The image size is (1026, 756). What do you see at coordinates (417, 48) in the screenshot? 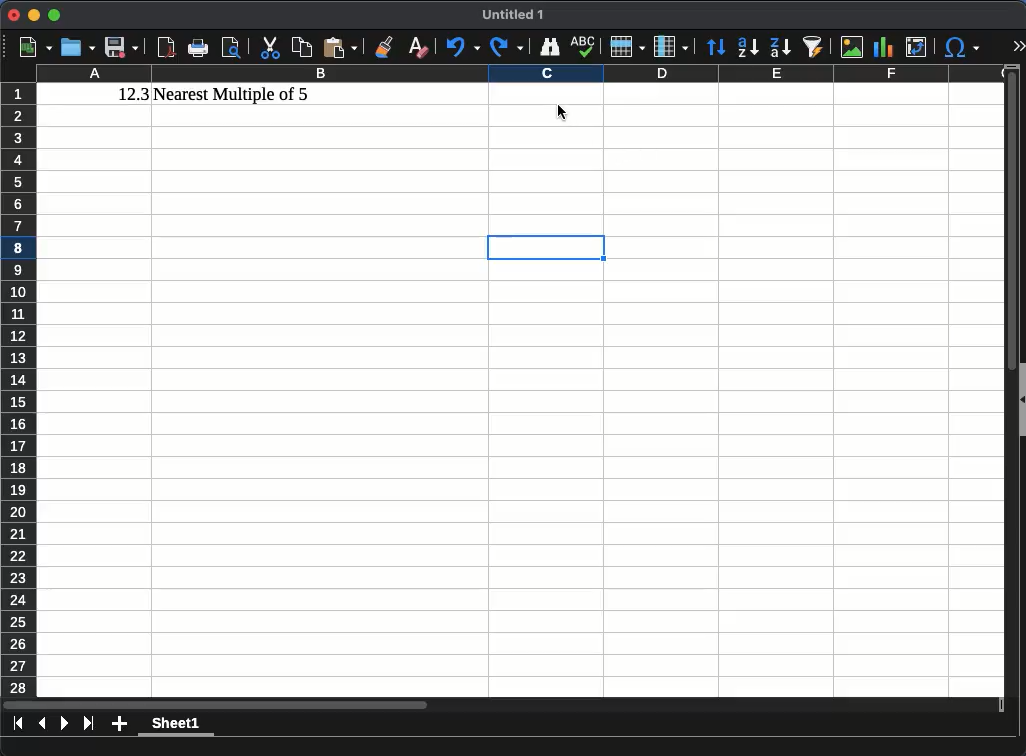
I see `clear formatting` at bounding box center [417, 48].